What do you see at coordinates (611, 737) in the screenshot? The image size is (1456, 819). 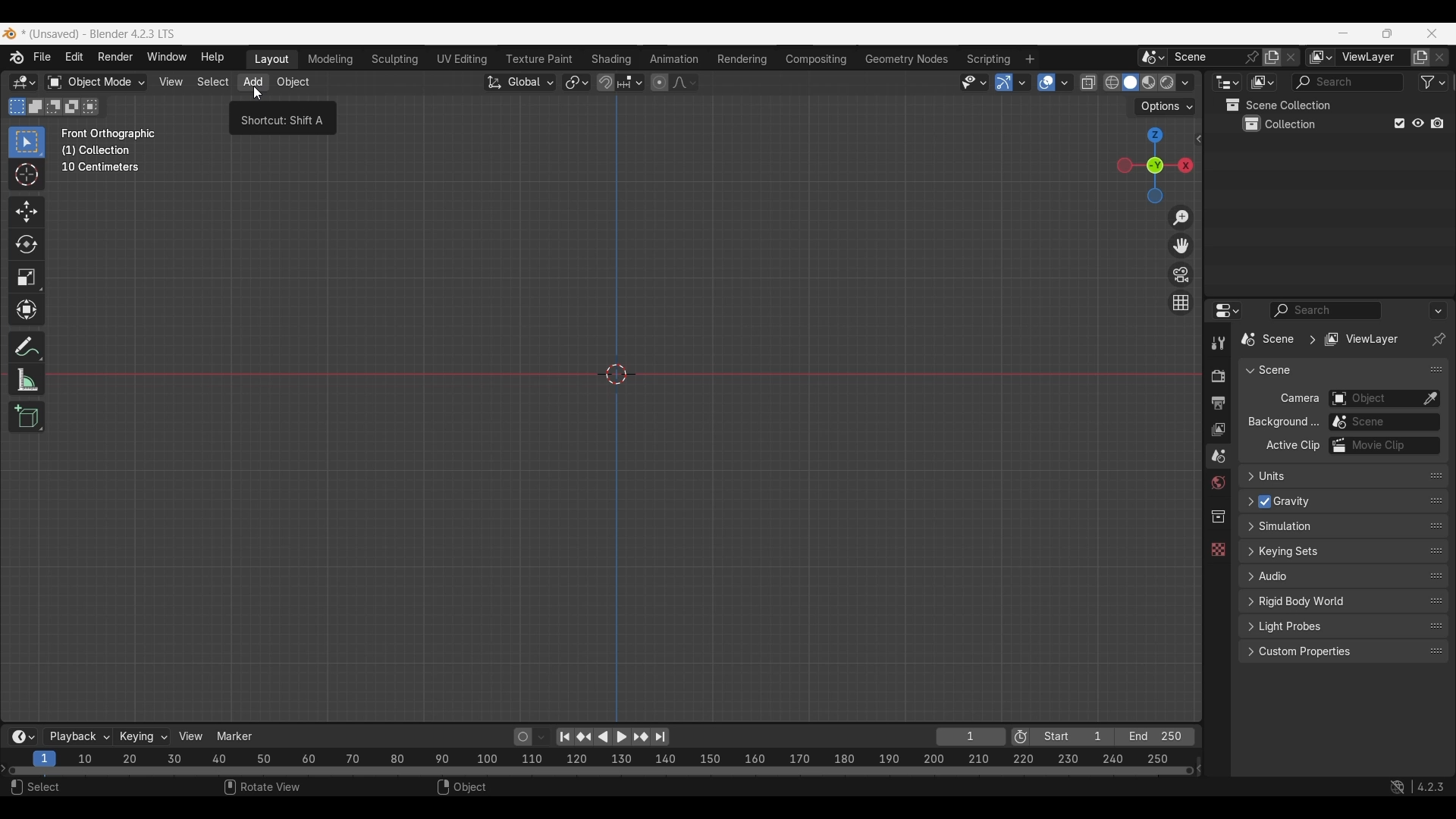 I see `Play animation` at bounding box center [611, 737].